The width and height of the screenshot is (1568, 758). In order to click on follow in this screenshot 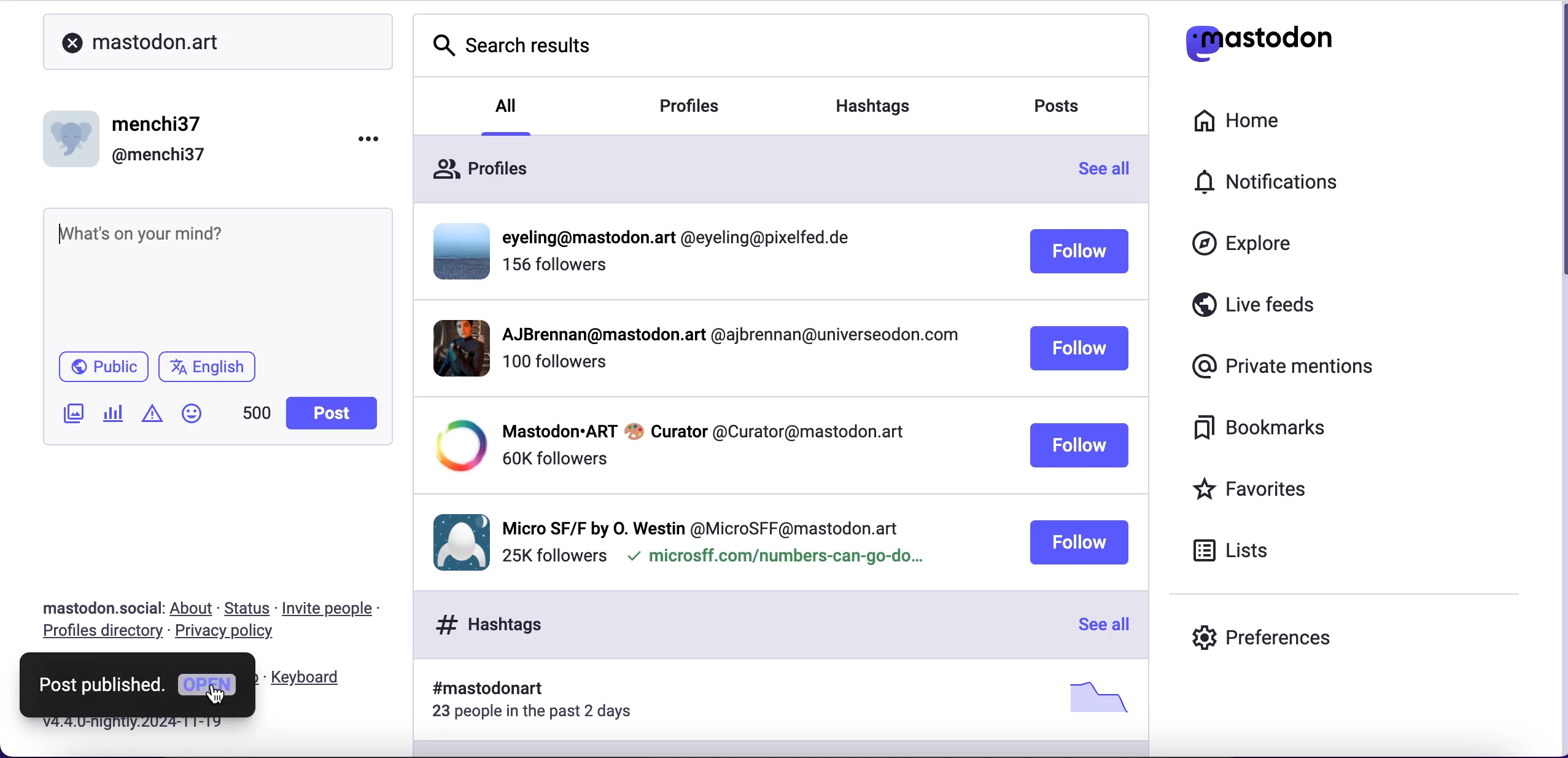, I will do `click(1078, 542)`.